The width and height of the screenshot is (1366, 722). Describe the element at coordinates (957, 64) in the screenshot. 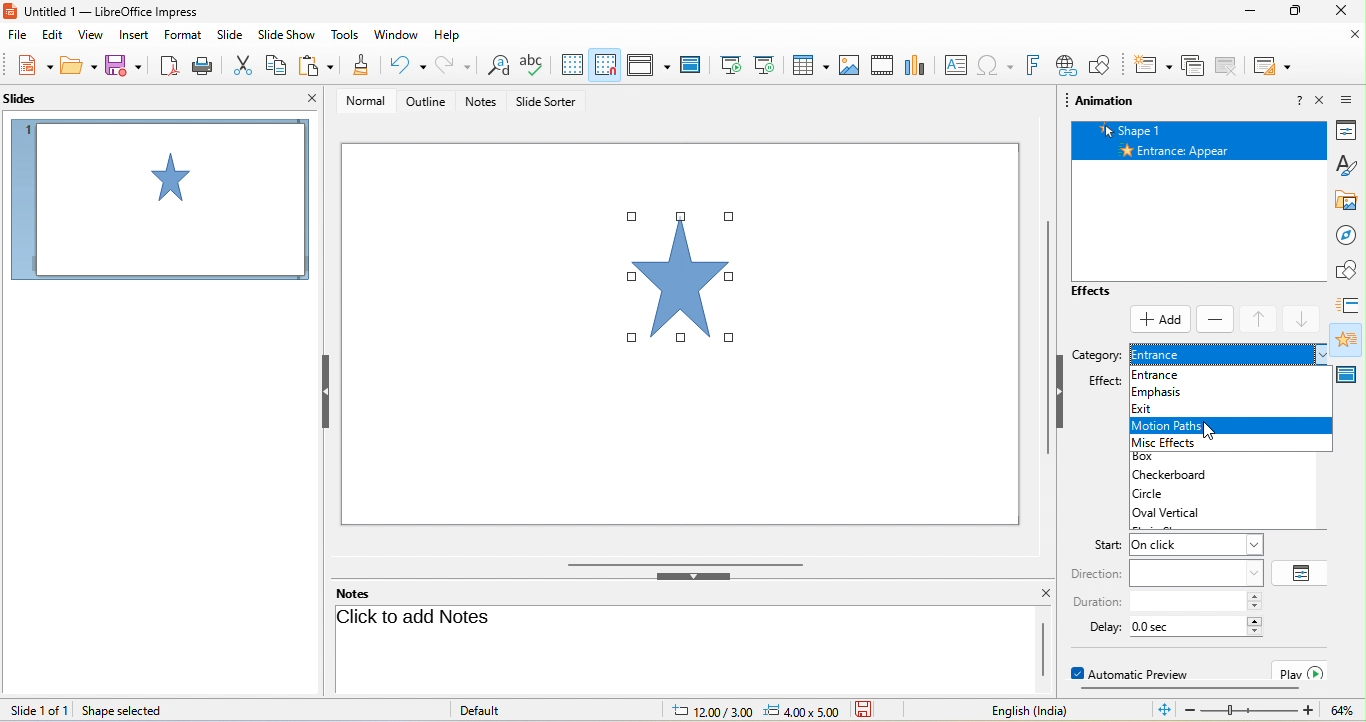

I see `text box` at that location.